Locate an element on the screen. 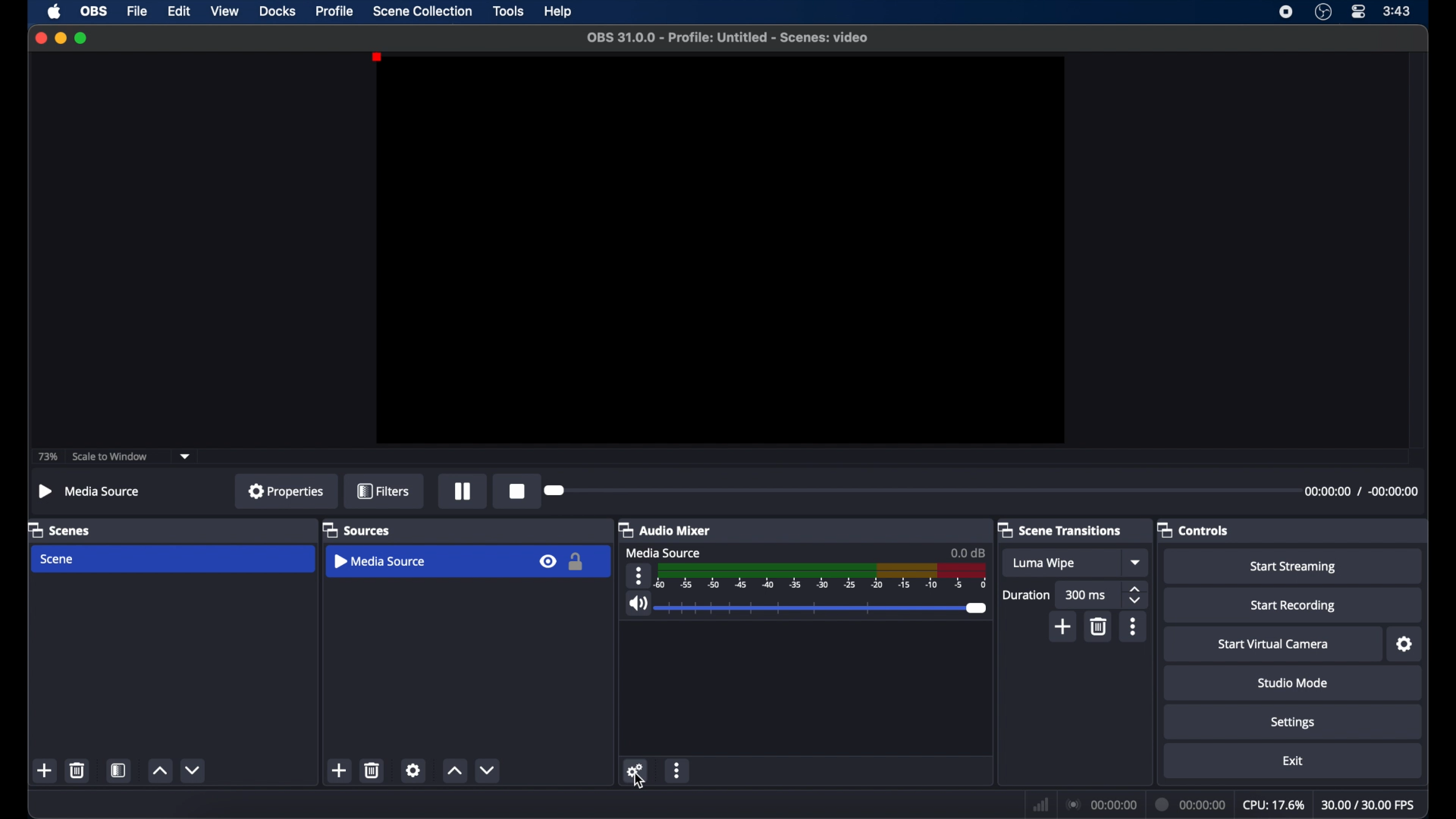 The height and width of the screenshot is (819, 1456). cpu: 17.6% is located at coordinates (1272, 805).